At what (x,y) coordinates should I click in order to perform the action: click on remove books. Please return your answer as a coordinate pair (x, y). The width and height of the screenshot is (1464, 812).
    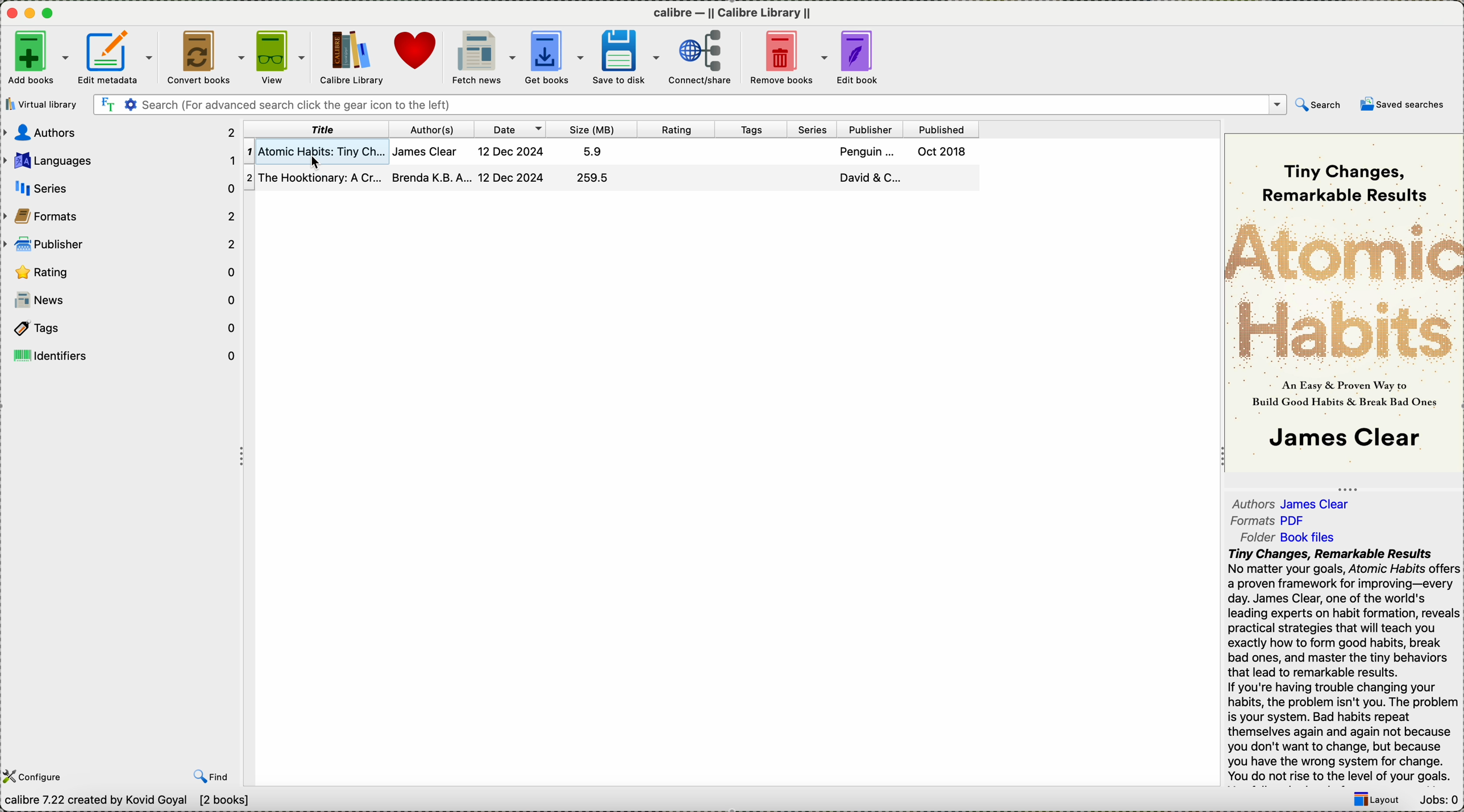
    Looking at the image, I should click on (788, 57).